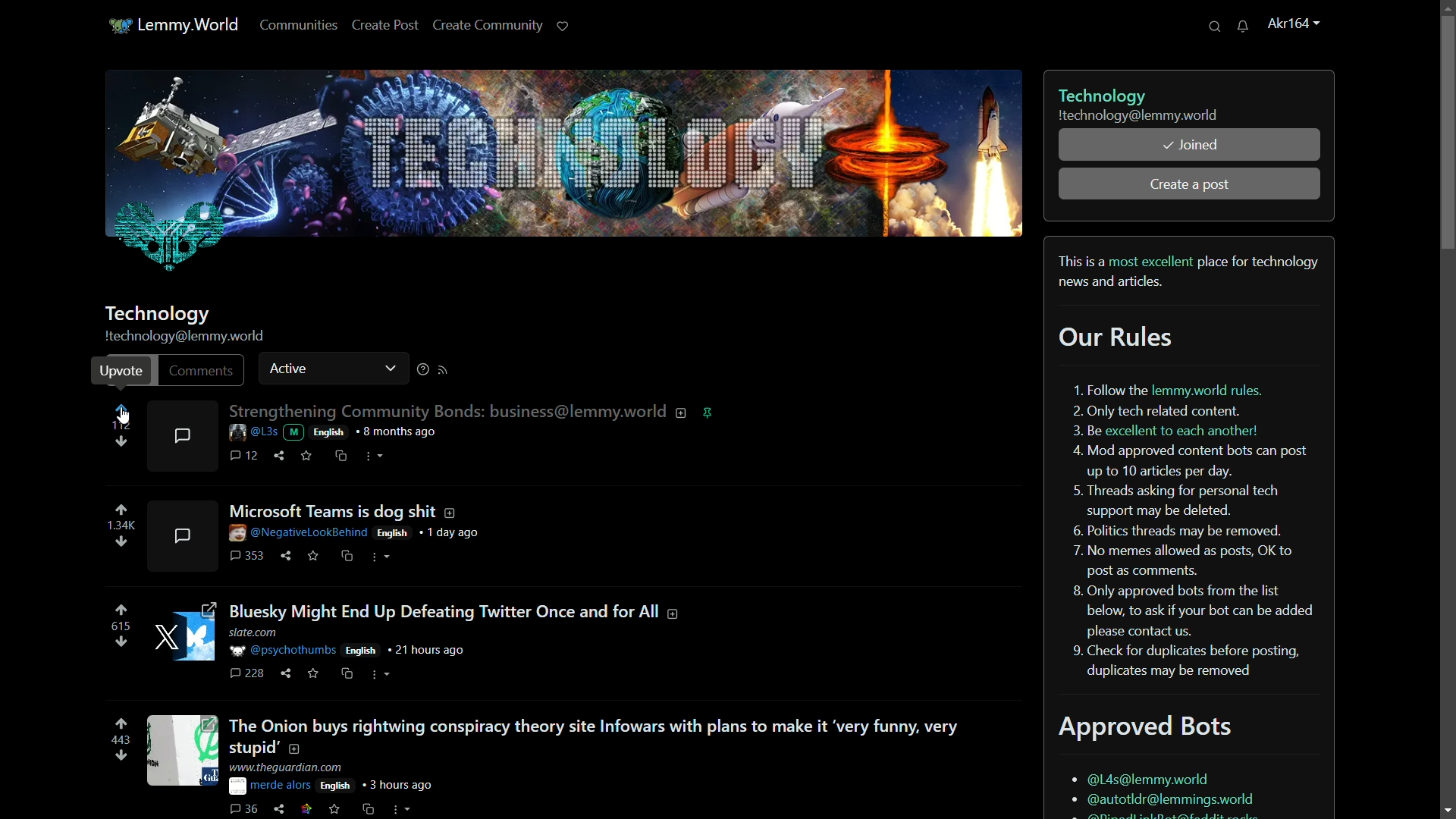 Image resolution: width=1456 pixels, height=819 pixels. I want to click on create post, so click(384, 27).